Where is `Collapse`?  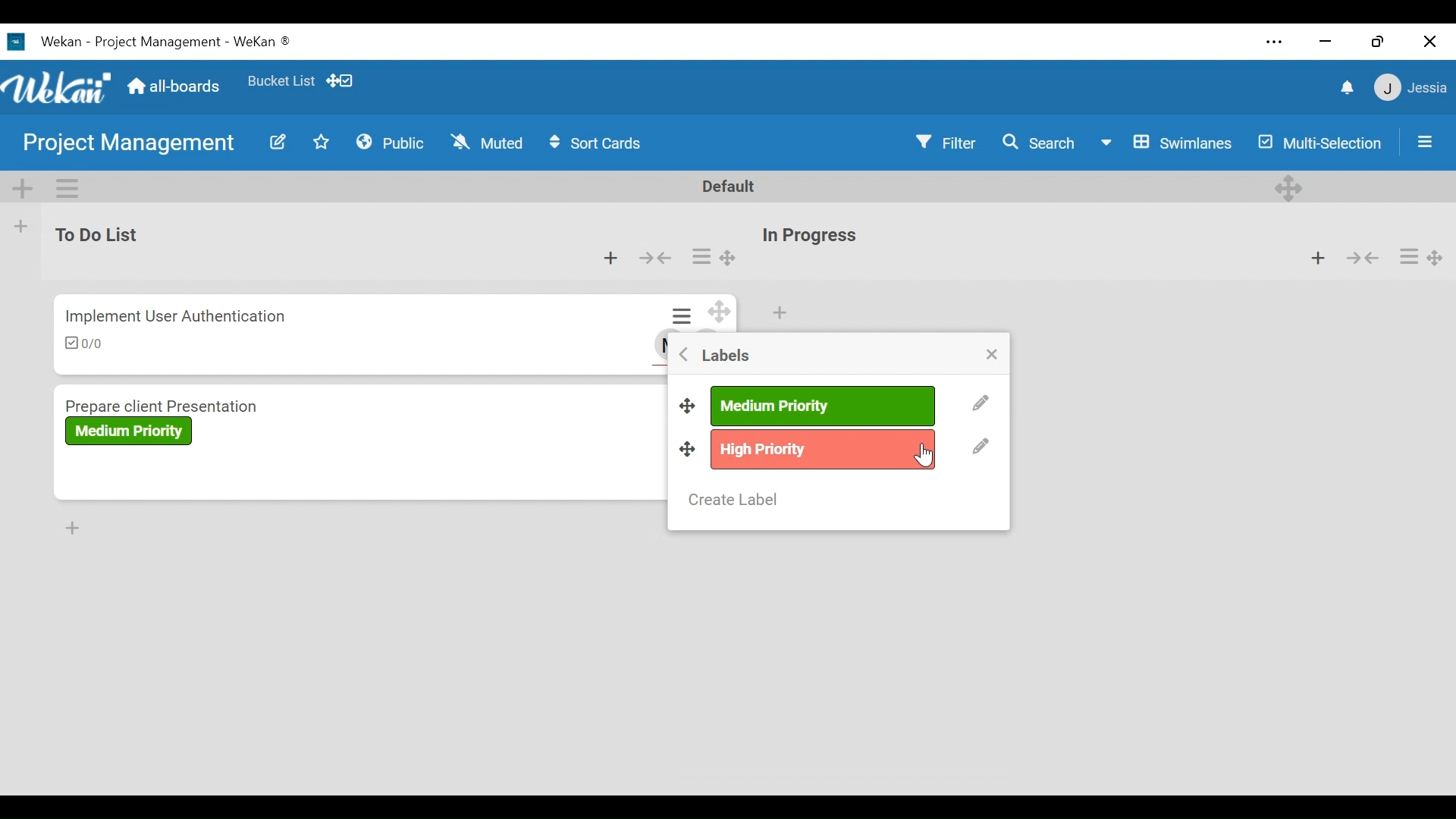
Collapse is located at coordinates (654, 259).